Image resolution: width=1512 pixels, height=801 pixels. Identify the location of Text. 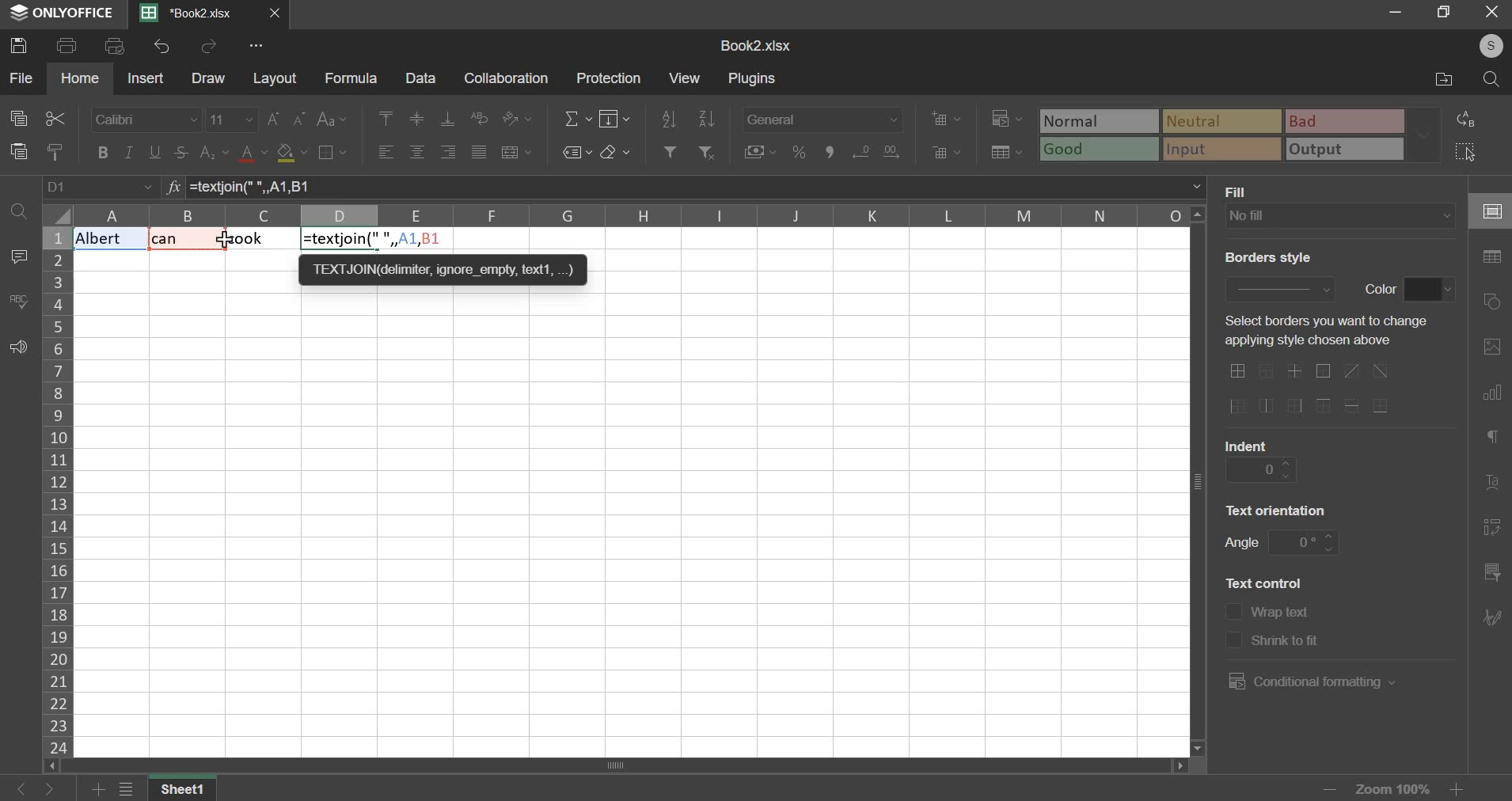
(179, 240).